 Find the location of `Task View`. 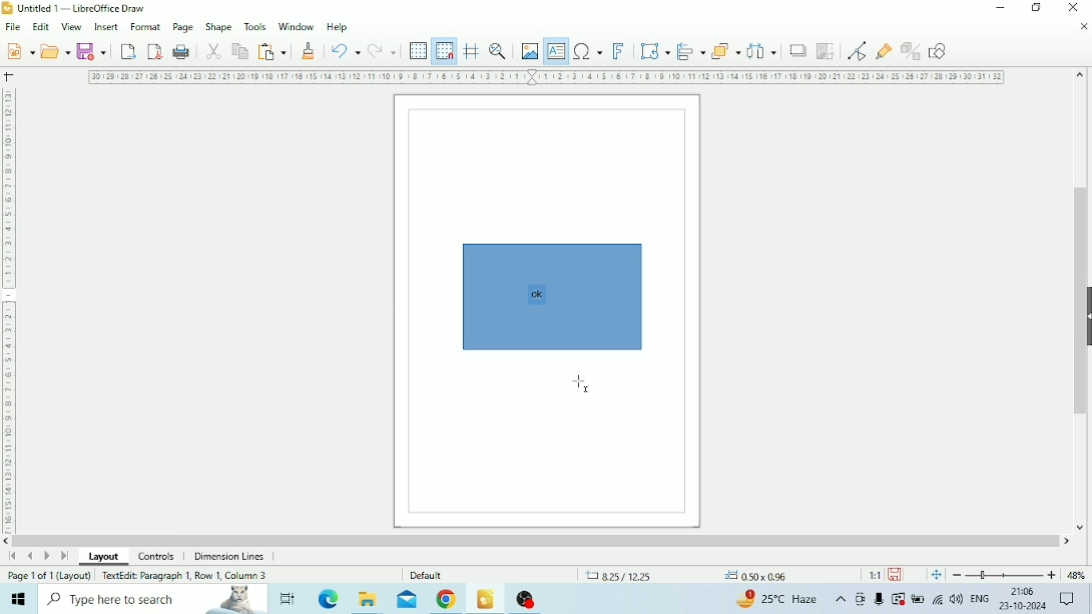

Task View is located at coordinates (286, 599).